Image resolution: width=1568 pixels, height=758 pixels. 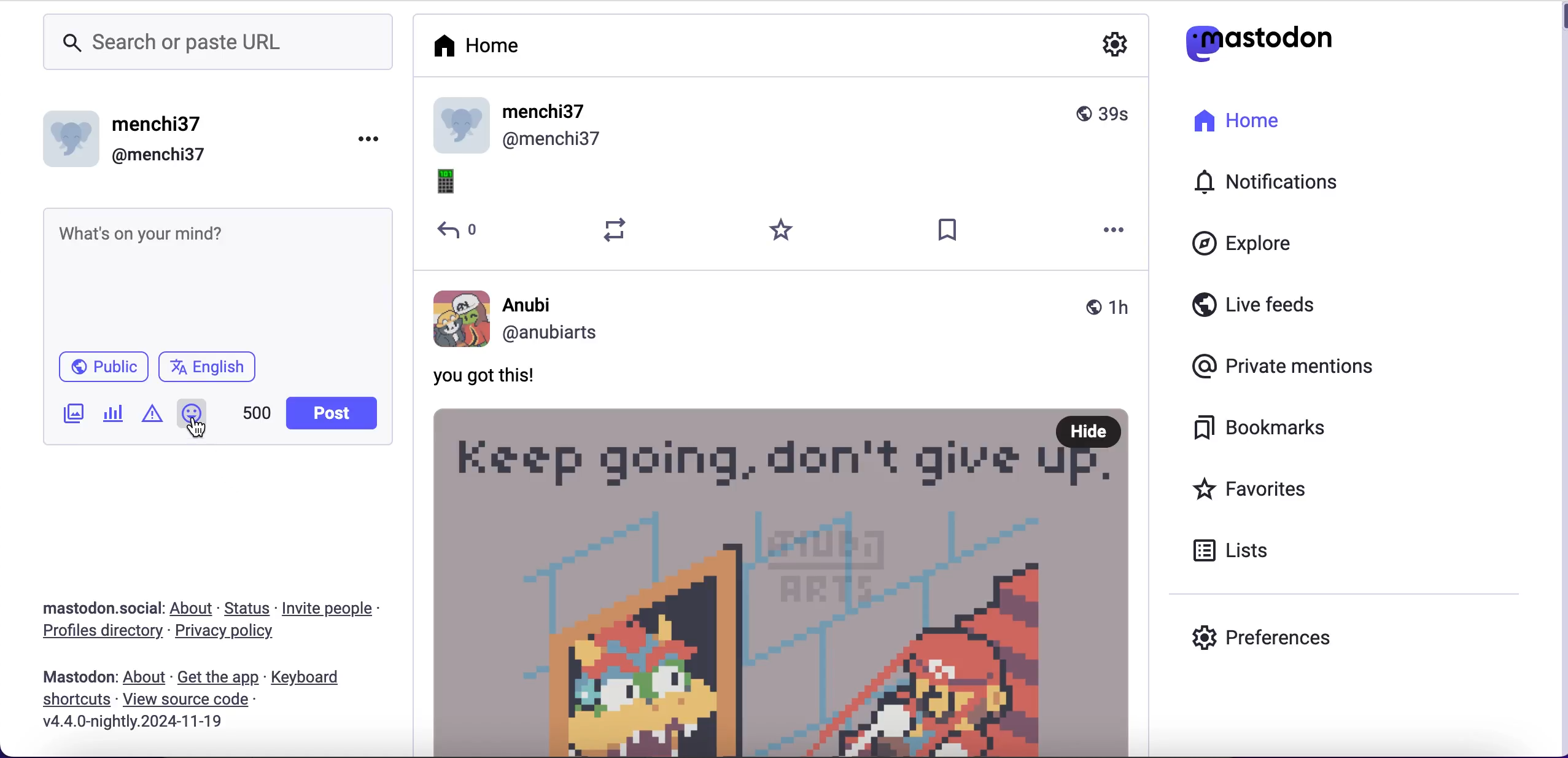 I want to click on reply, so click(x=460, y=231).